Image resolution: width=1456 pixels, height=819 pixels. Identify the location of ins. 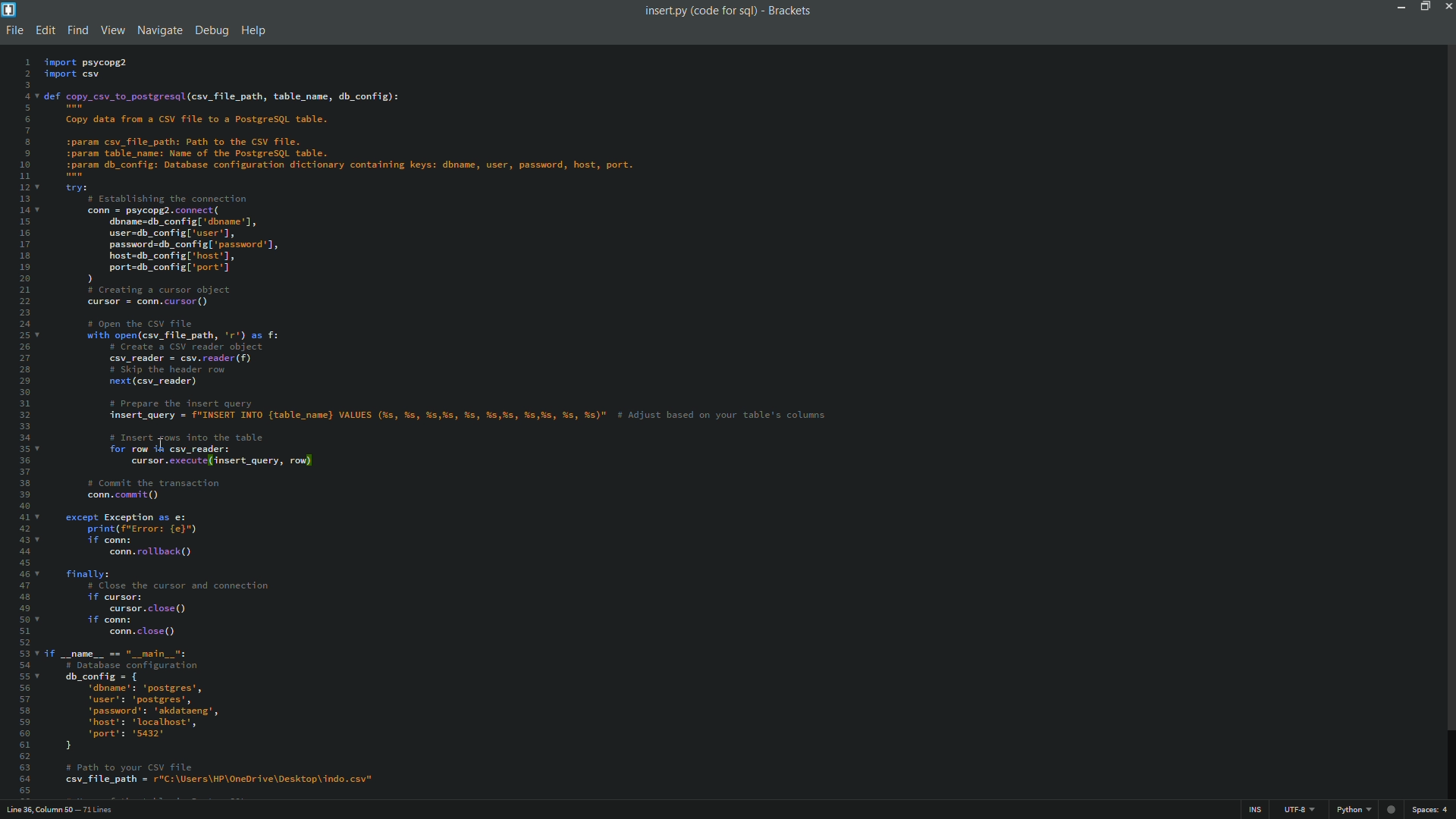
(1257, 811).